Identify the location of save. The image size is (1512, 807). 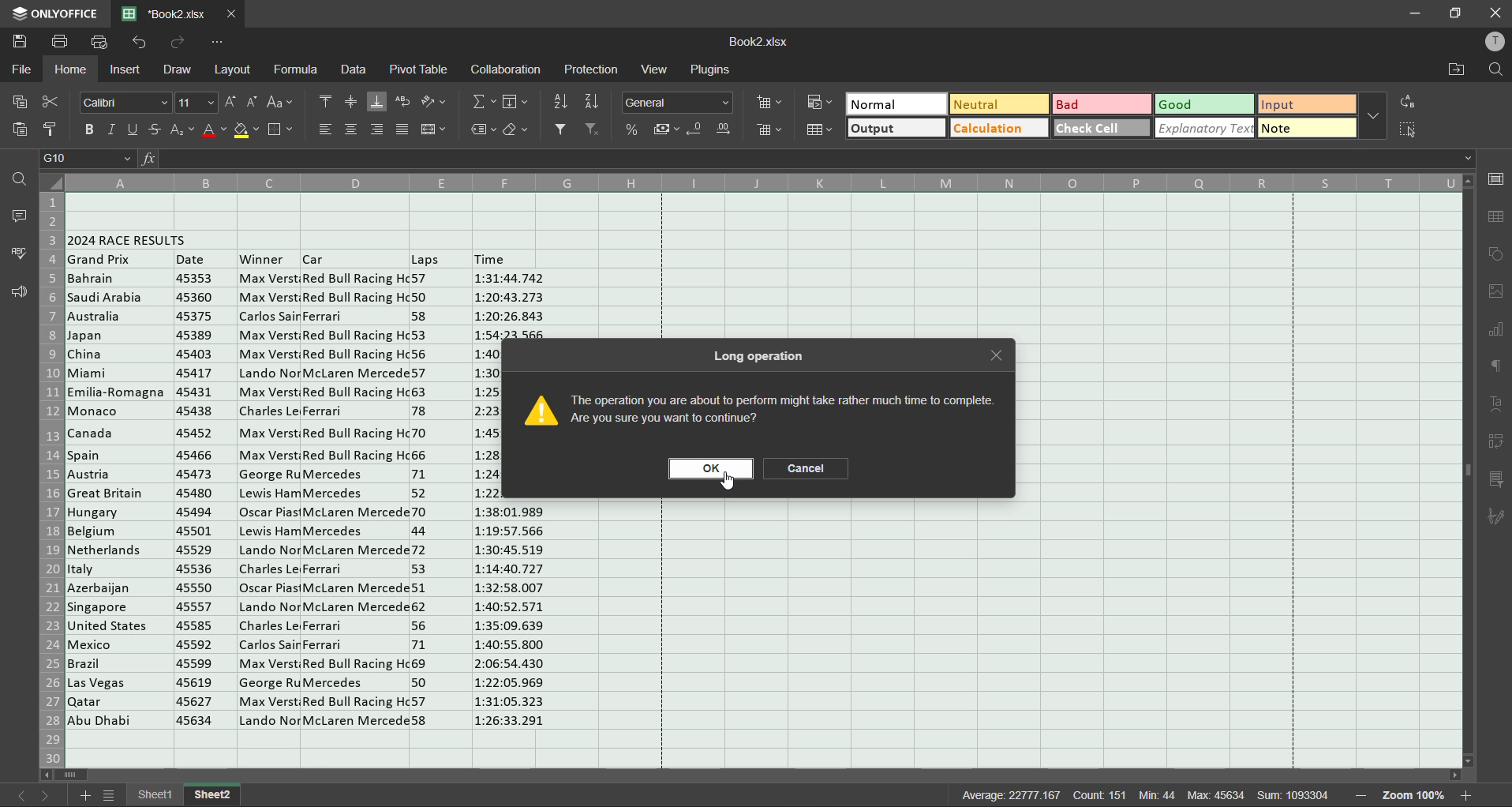
(62, 44).